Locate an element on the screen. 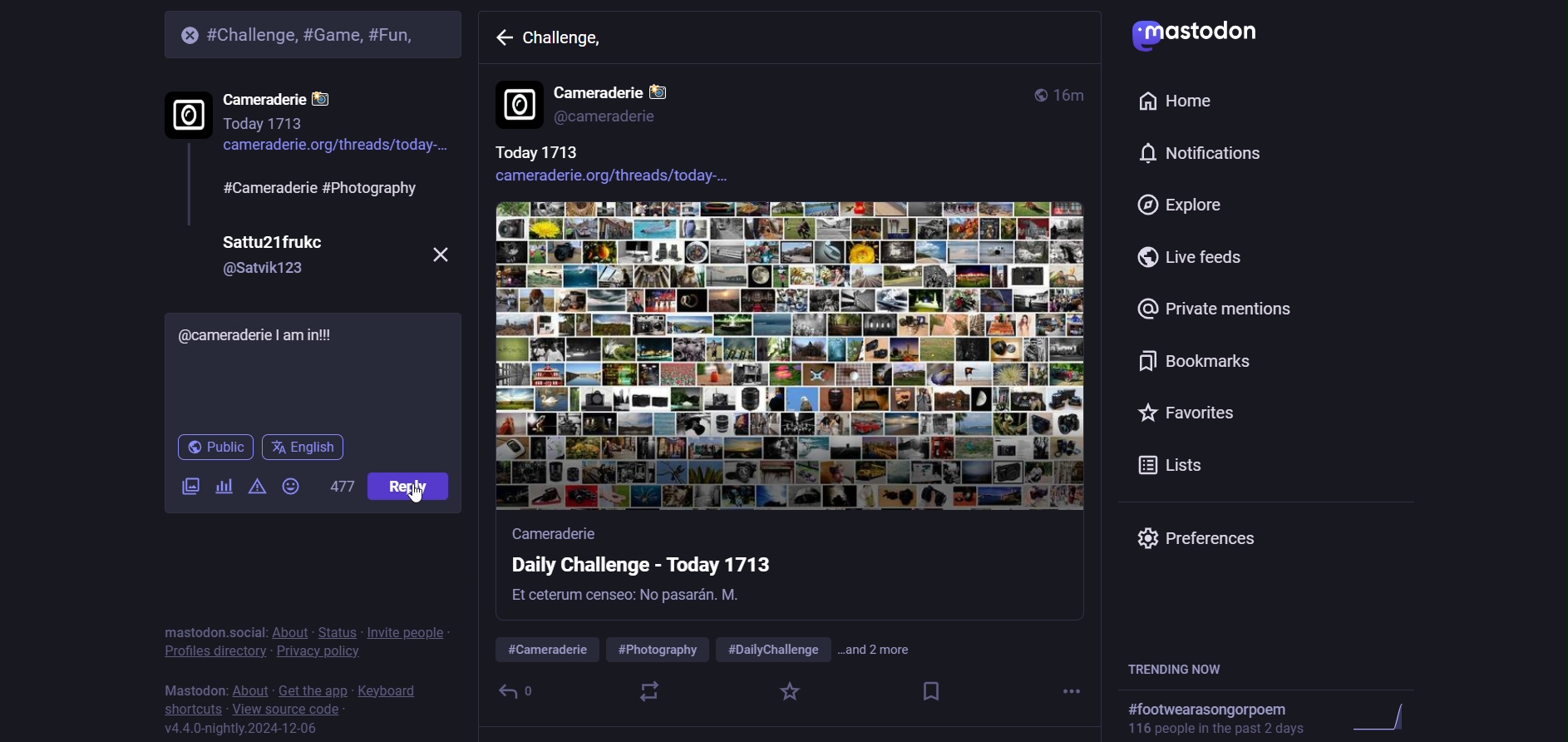 This screenshot has width=1568, height=742. public is located at coordinates (218, 445).